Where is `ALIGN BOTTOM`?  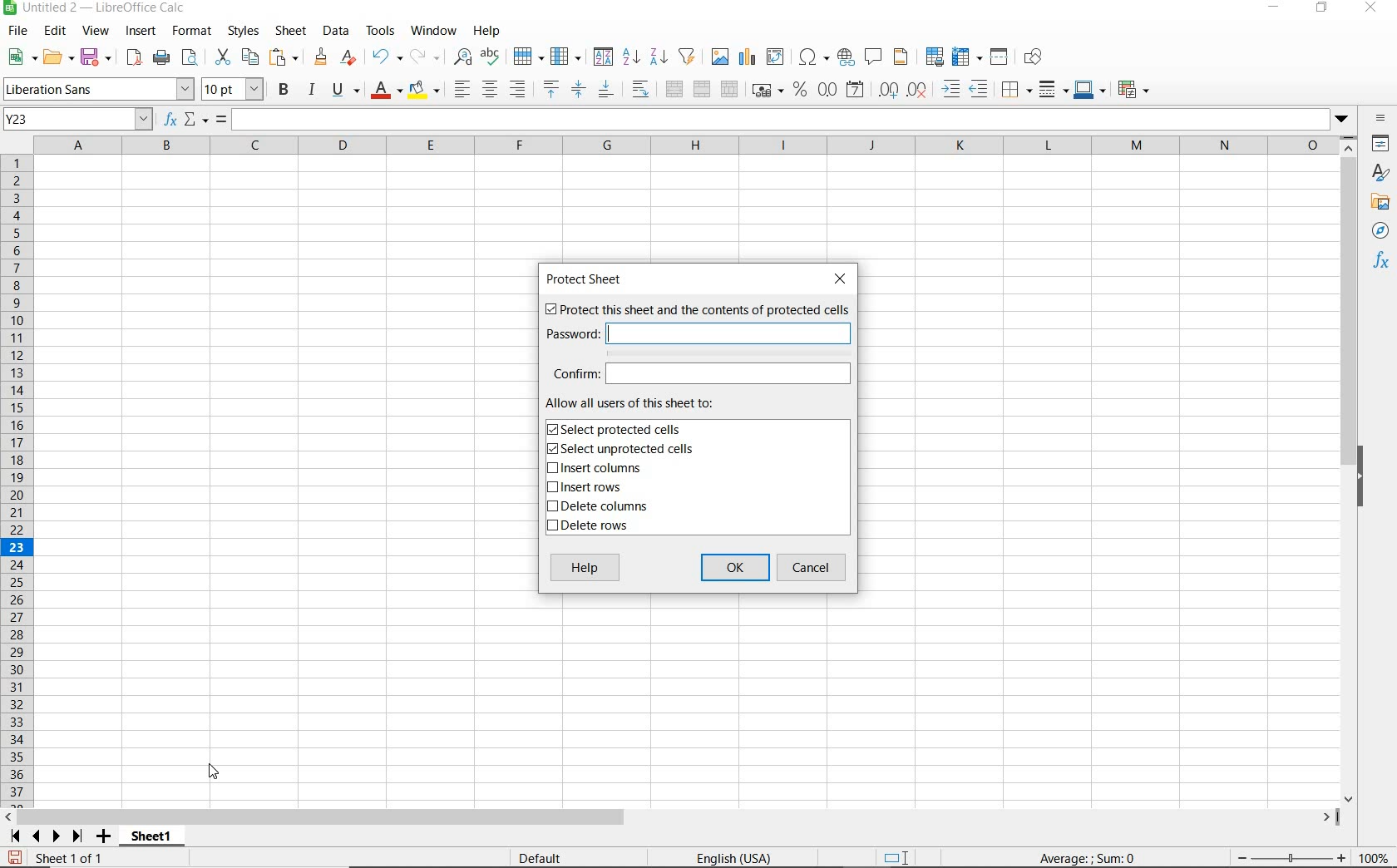 ALIGN BOTTOM is located at coordinates (605, 91).